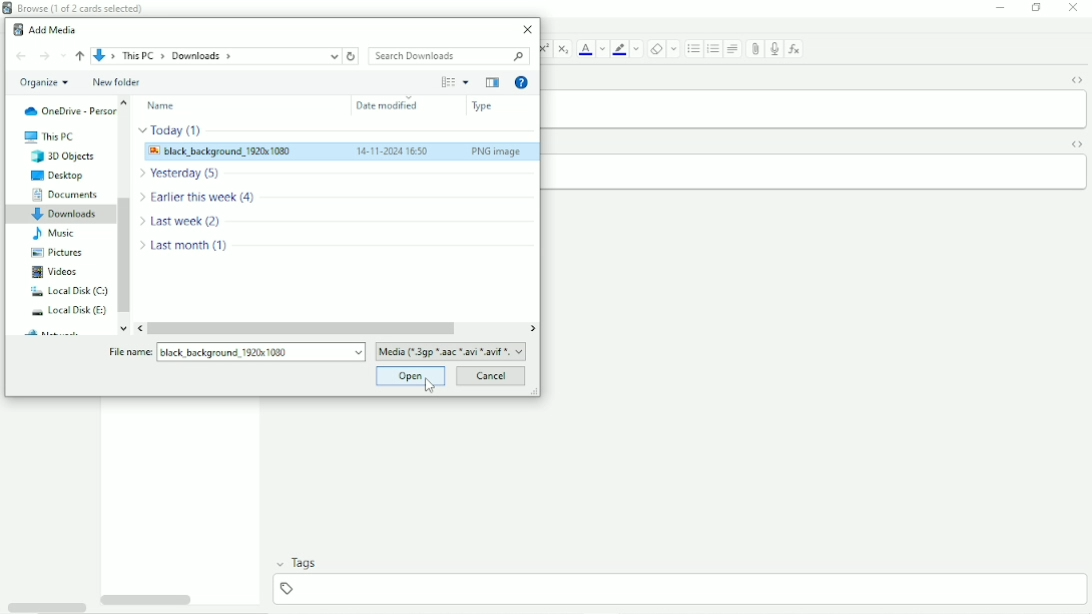 The image size is (1092, 614). What do you see at coordinates (339, 152) in the screenshot?
I see `Image` at bounding box center [339, 152].